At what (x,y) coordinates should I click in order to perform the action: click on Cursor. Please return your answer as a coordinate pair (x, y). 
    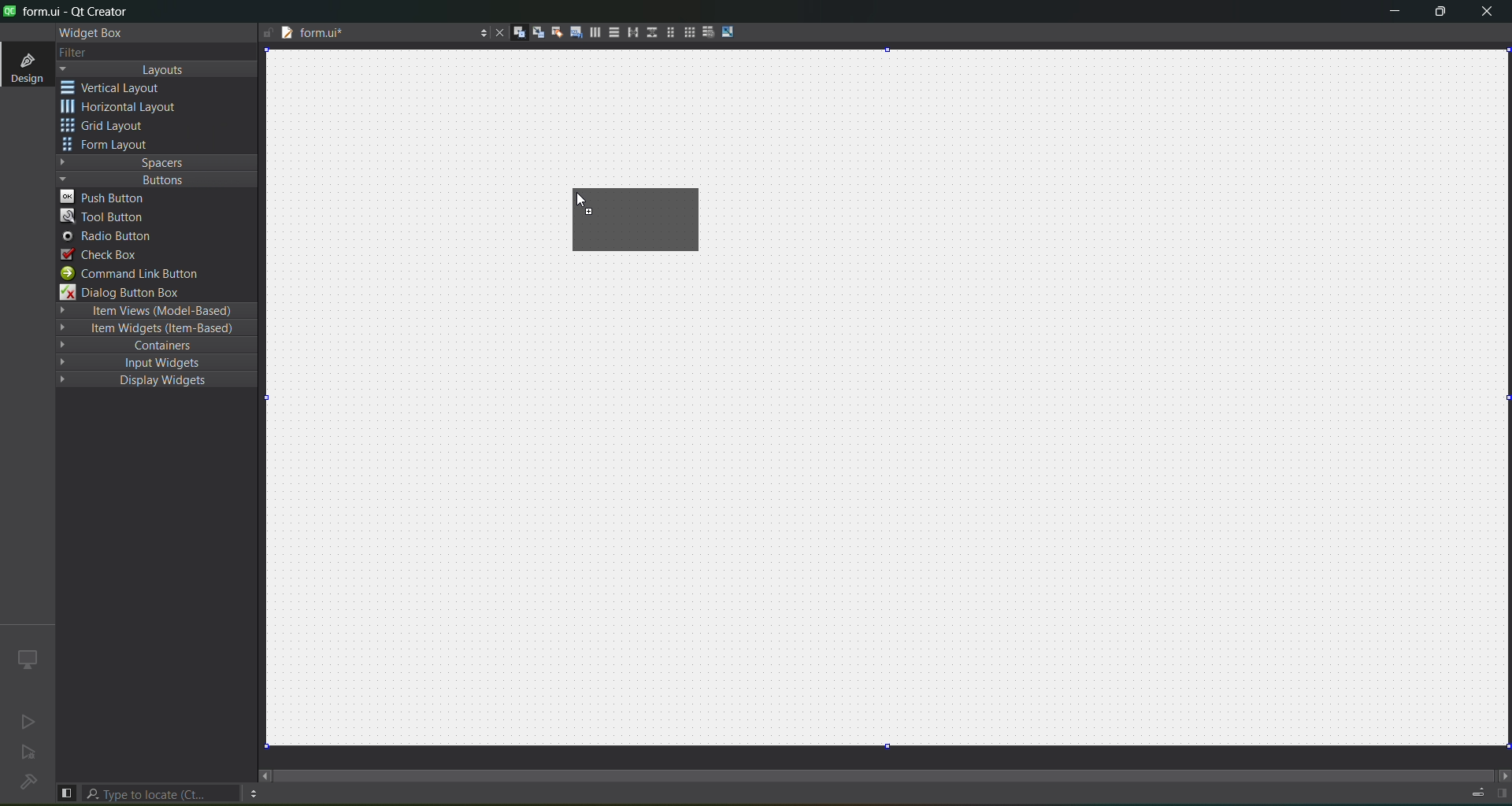
    Looking at the image, I should click on (576, 197).